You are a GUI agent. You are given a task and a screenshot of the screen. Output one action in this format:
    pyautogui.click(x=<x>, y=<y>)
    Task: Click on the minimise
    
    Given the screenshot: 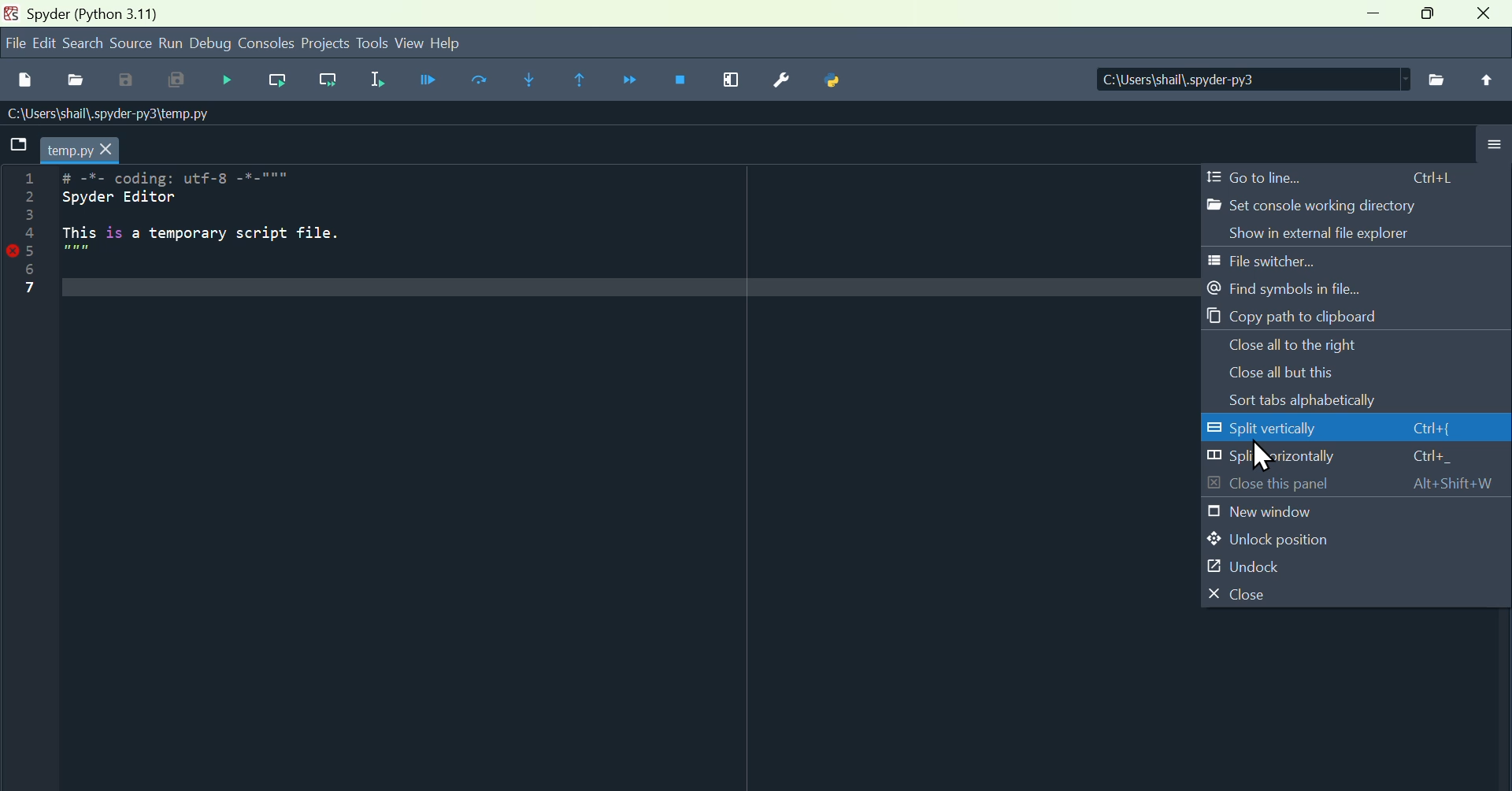 What is the action you would take?
    pyautogui.click(x=1376, y=13)
    